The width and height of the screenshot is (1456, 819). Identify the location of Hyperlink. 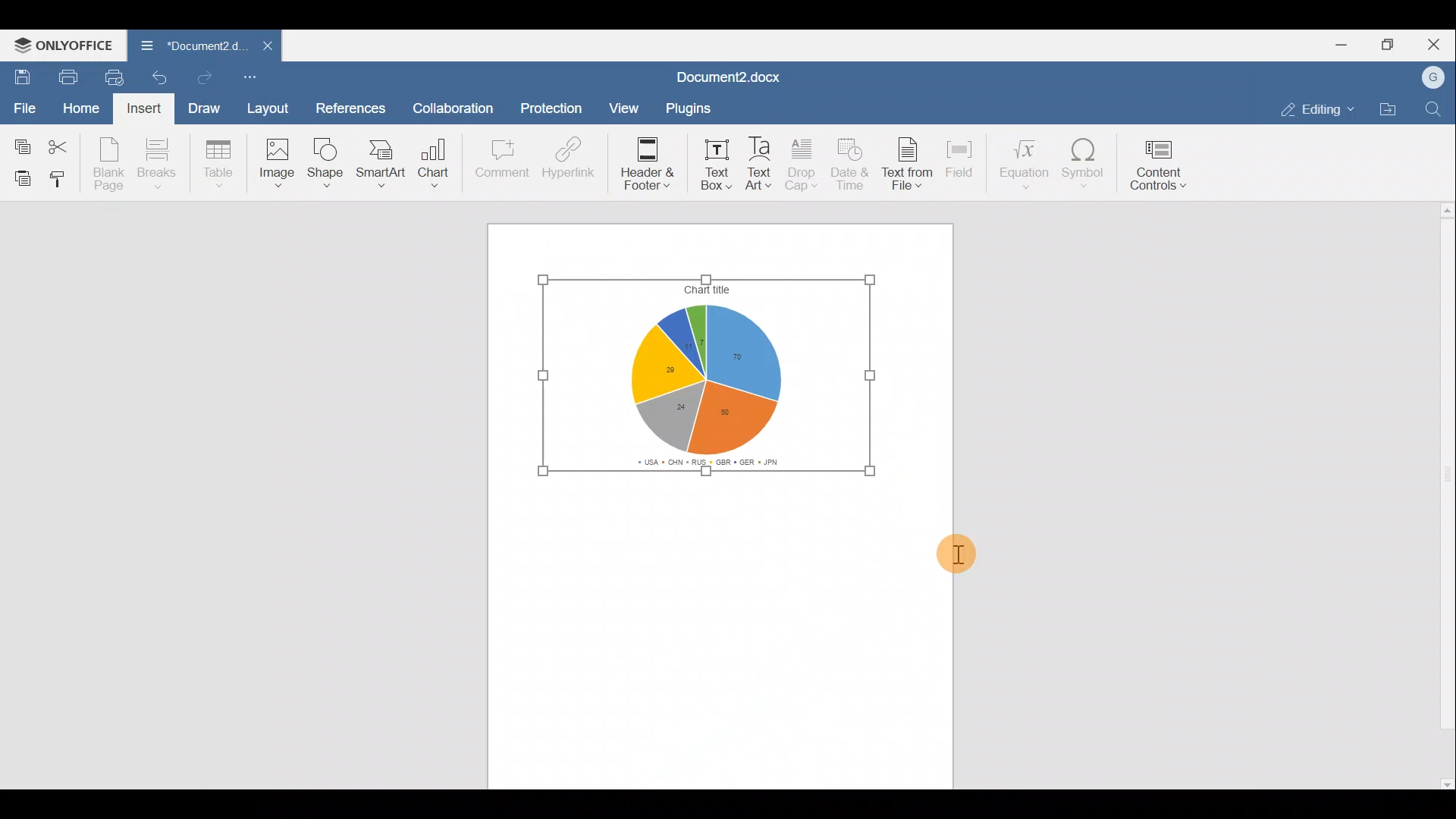
(573, 157).